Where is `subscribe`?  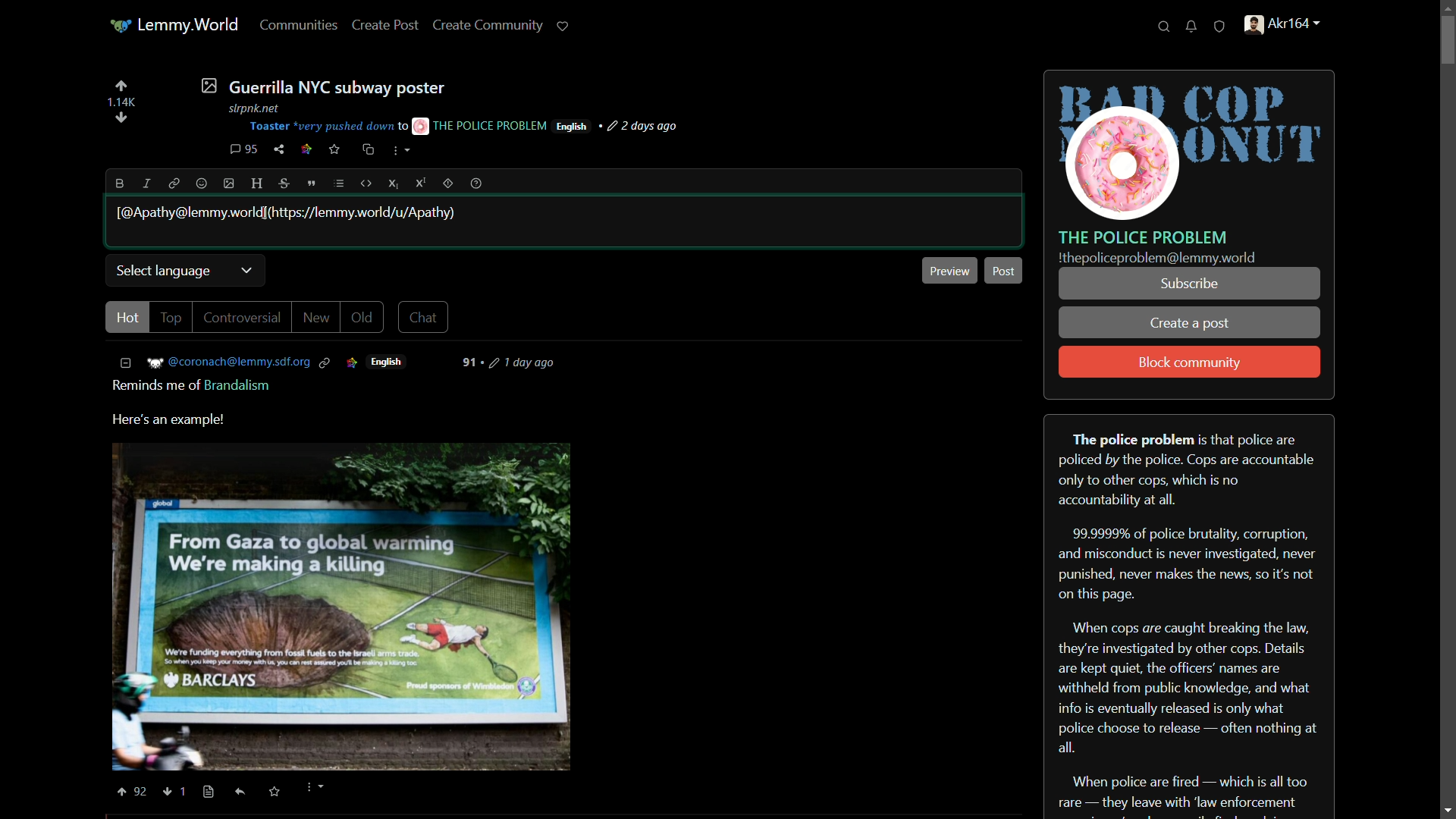
subscribe is located at coordinates (1188, 284).